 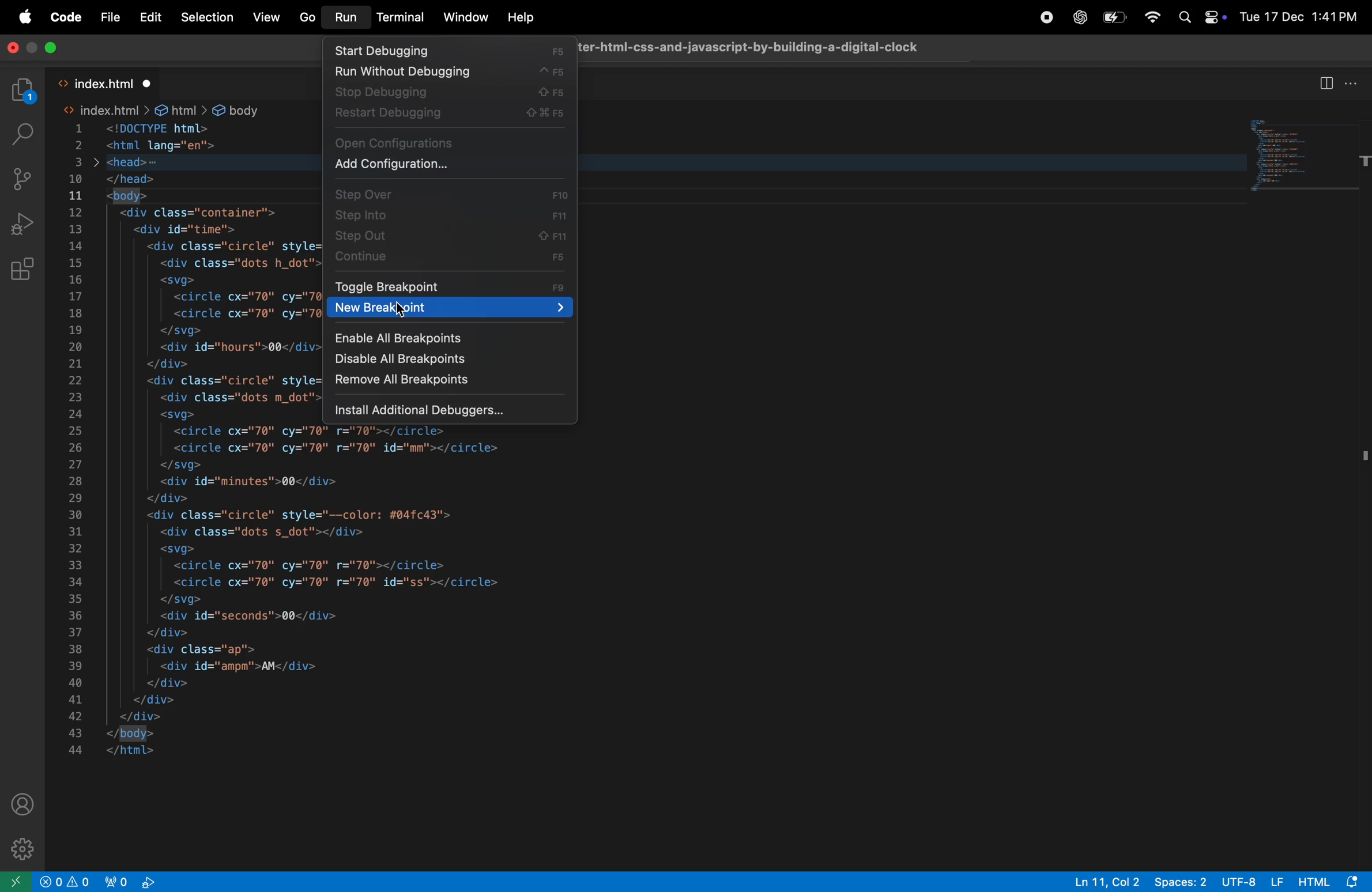 I want to click on code block, so click(x=1303, y=152).